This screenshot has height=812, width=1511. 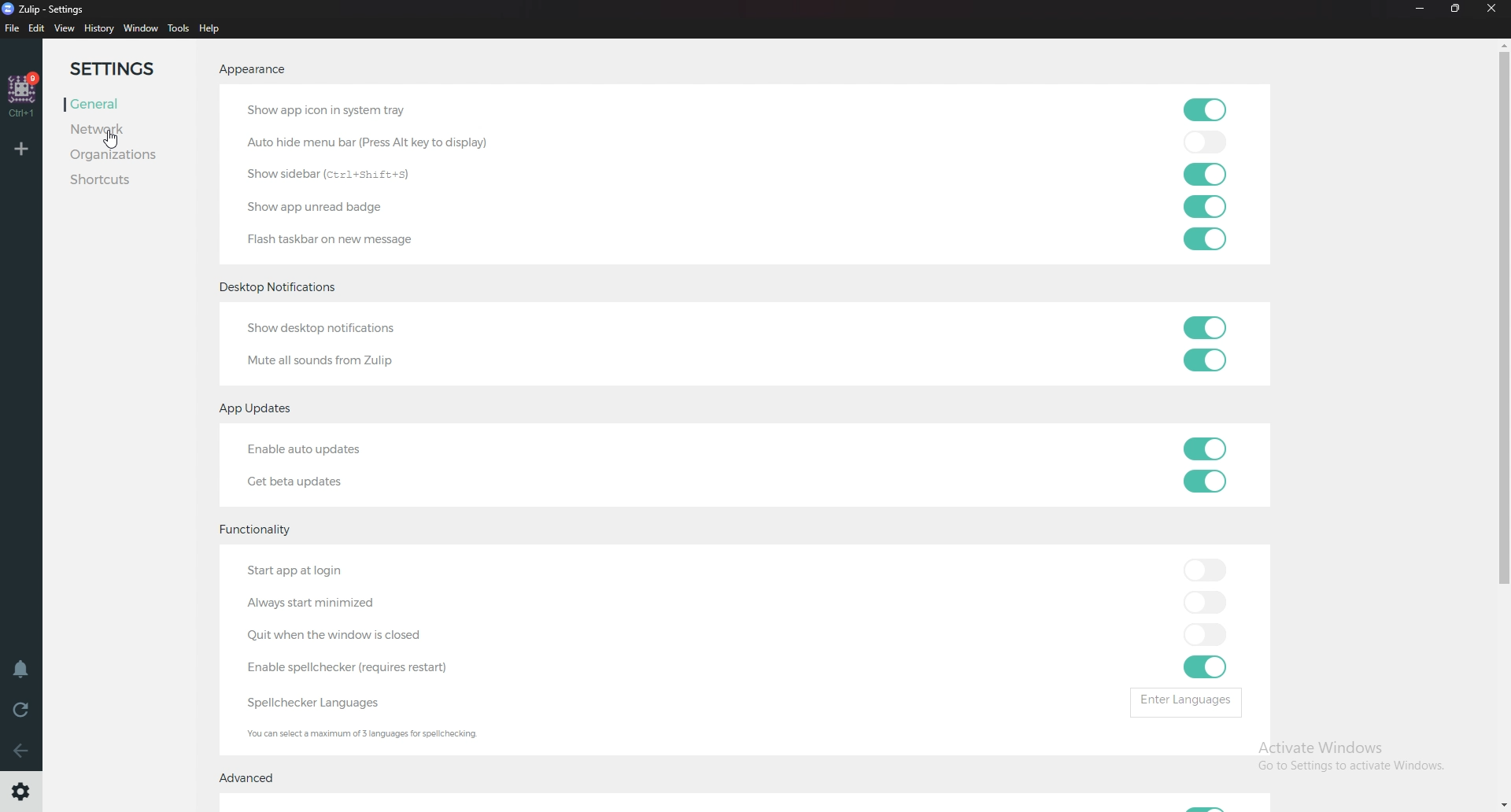 What do you see at coordinates (19, 672) in the screenshot?
I see `Enable do not disturb` at bounding box center [19, 672].